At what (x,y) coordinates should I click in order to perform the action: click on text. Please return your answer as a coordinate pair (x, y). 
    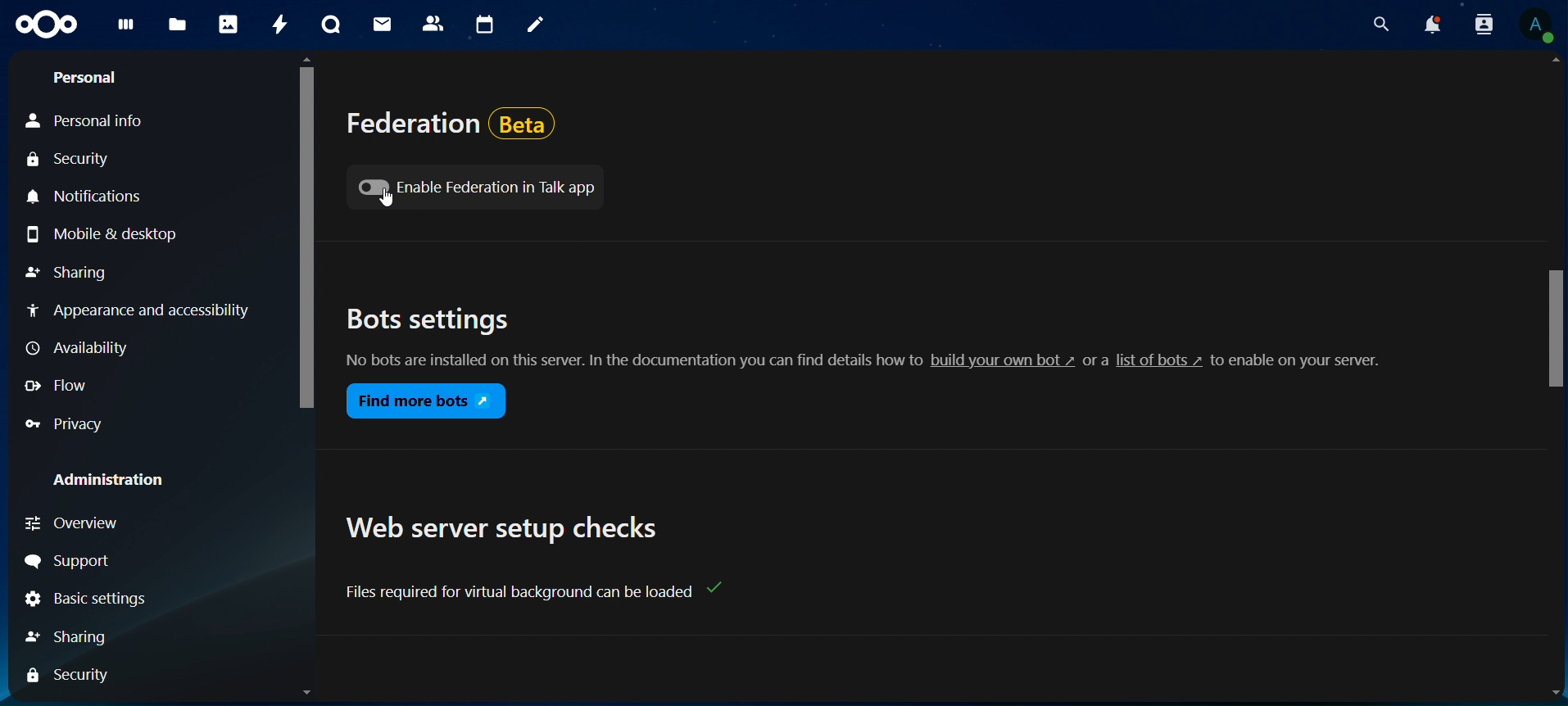
    Looking at the image, I should click on (518, 590).